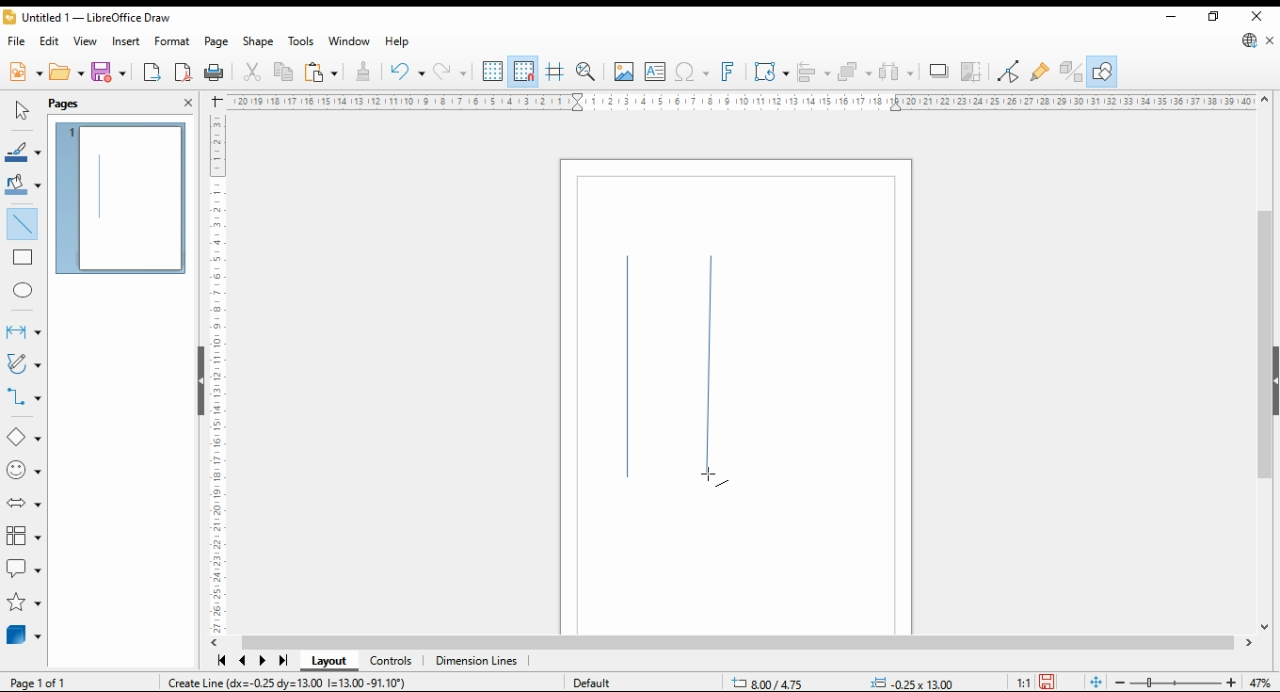 This screenshot has height=692, width=1280. I want to click on connectors, so click(24, 397).